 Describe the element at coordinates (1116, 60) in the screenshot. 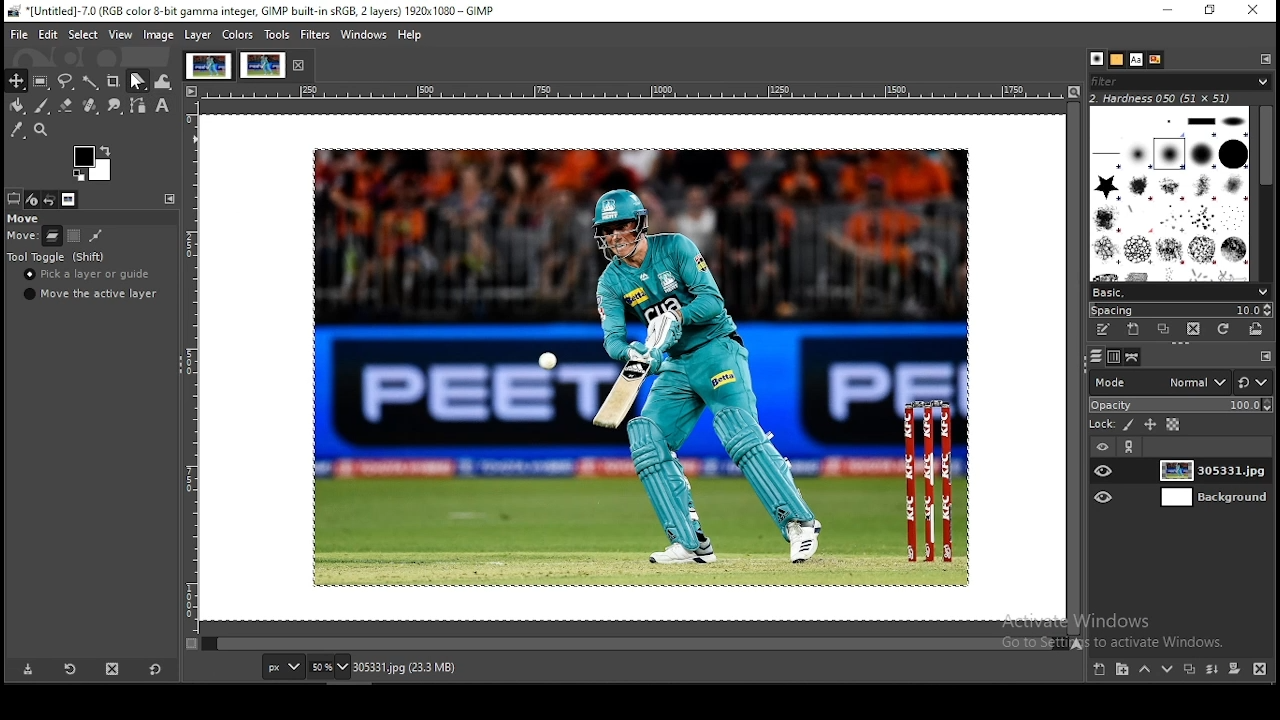

I see `brushes` at that location.